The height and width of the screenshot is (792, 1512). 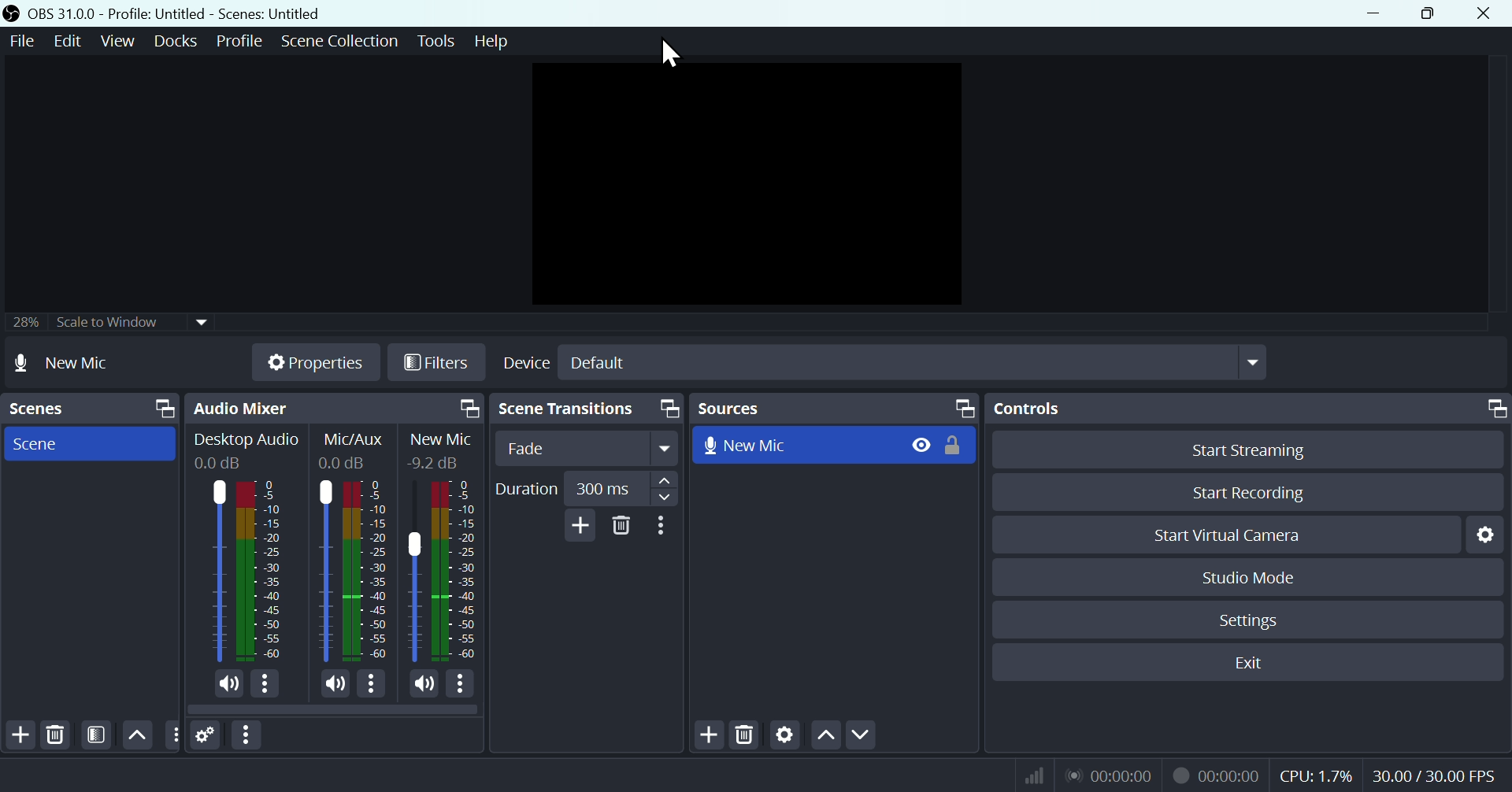 What do you see at coordinates (577, 525) in the screenshot?
I see `Add` at bounding box center [577, 525].